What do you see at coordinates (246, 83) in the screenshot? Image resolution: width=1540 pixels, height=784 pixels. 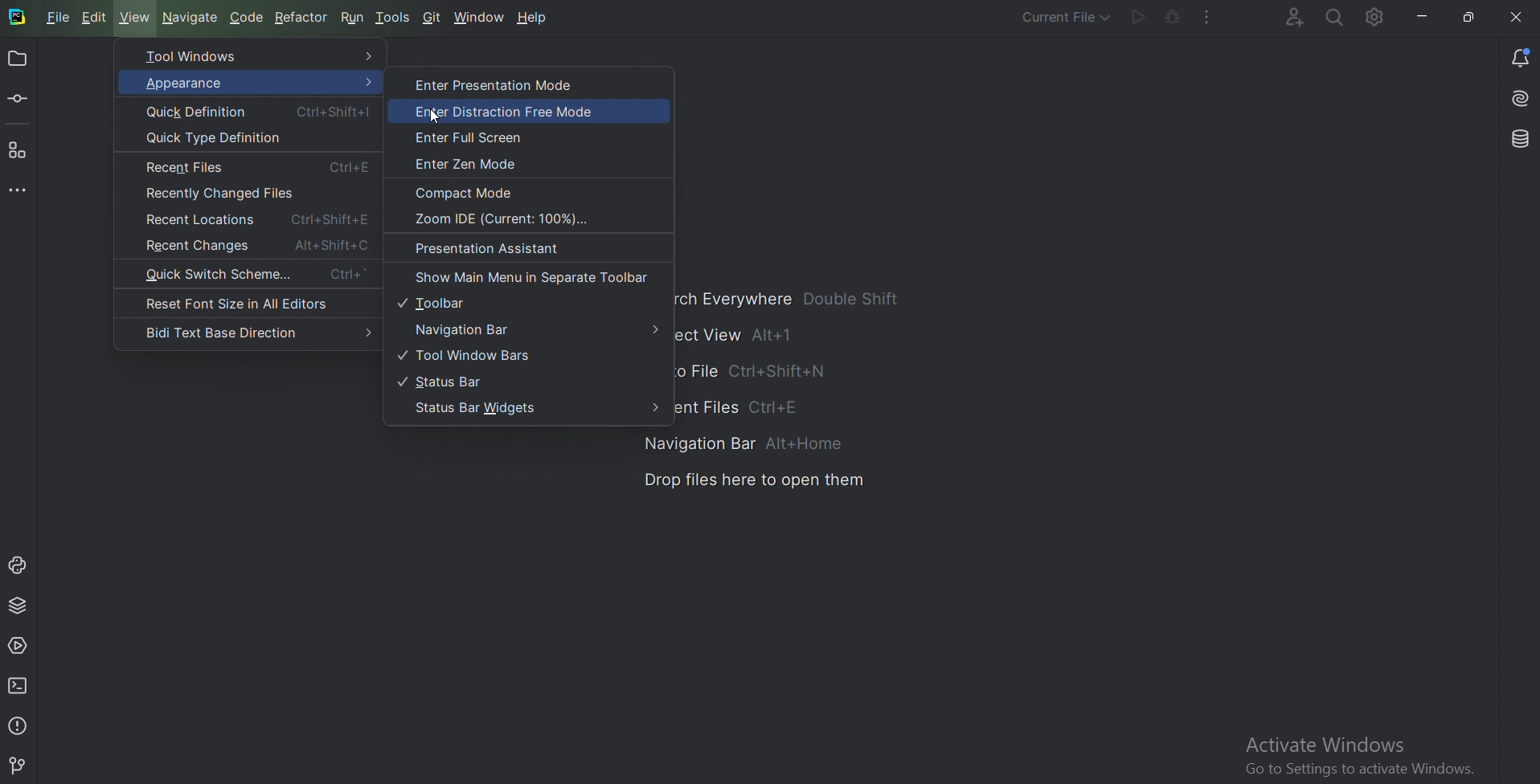 I see `Appearance` at bounding box center [246, 83].